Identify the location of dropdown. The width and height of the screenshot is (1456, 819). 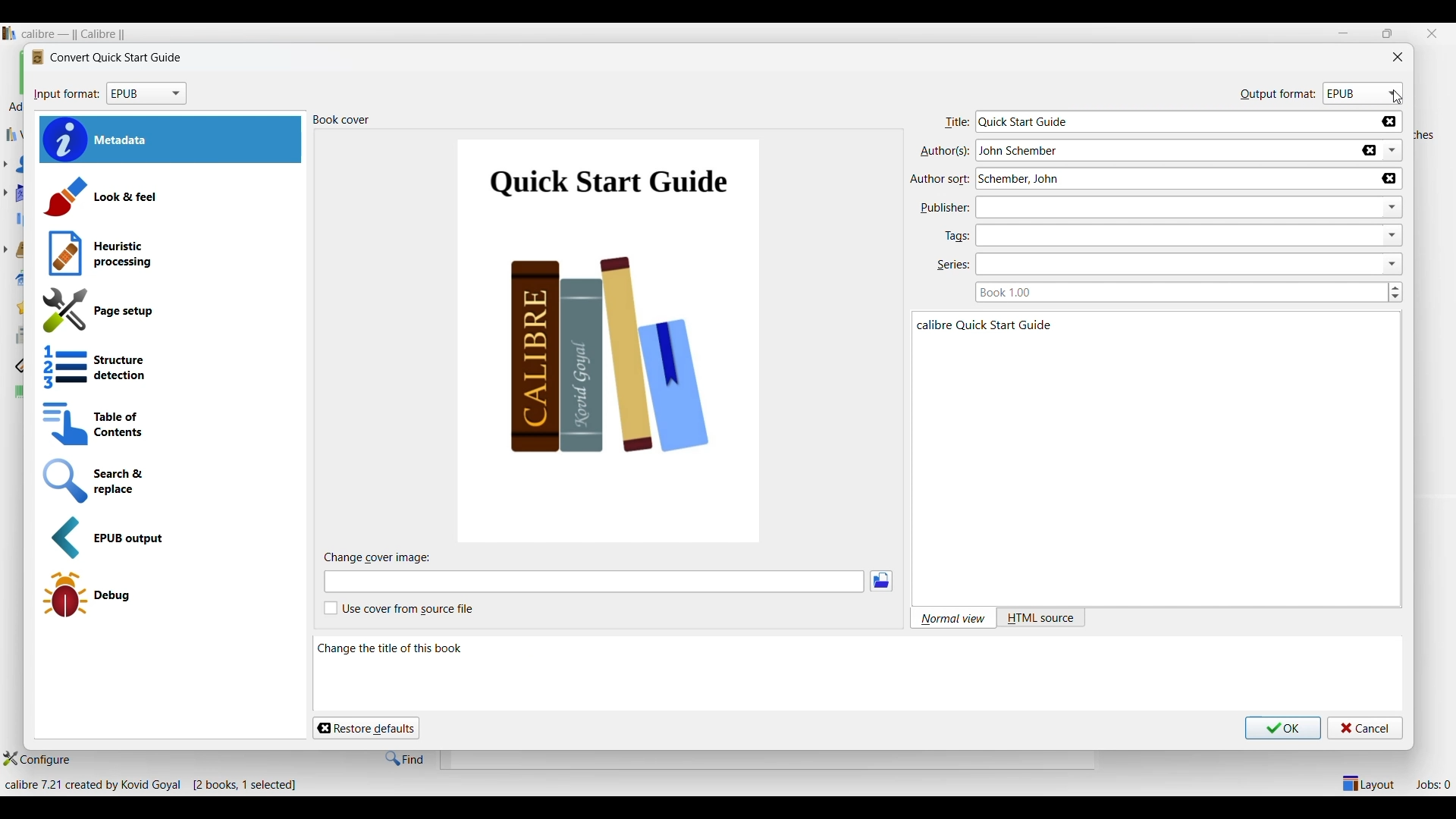
(1392, 208).